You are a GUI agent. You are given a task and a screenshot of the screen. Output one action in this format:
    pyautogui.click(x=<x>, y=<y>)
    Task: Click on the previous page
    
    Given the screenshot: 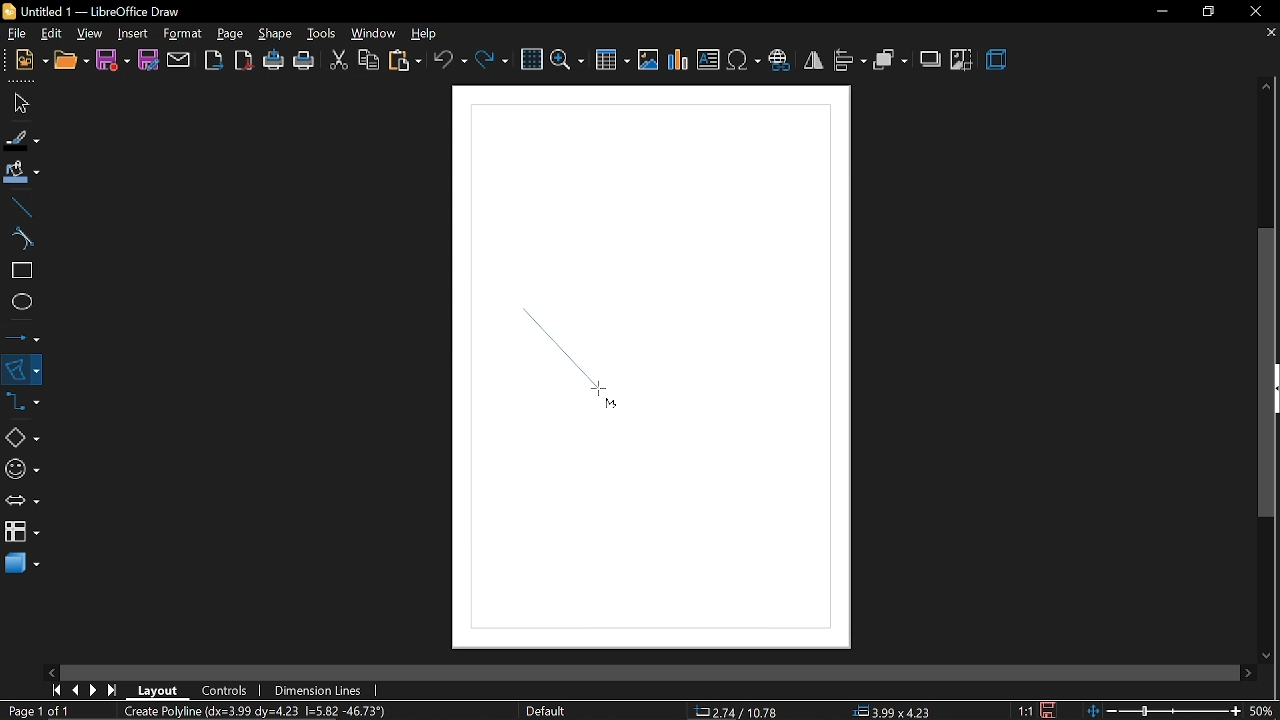 What is the action you would take?
    pyautogui.click(x=77, y=689)
    